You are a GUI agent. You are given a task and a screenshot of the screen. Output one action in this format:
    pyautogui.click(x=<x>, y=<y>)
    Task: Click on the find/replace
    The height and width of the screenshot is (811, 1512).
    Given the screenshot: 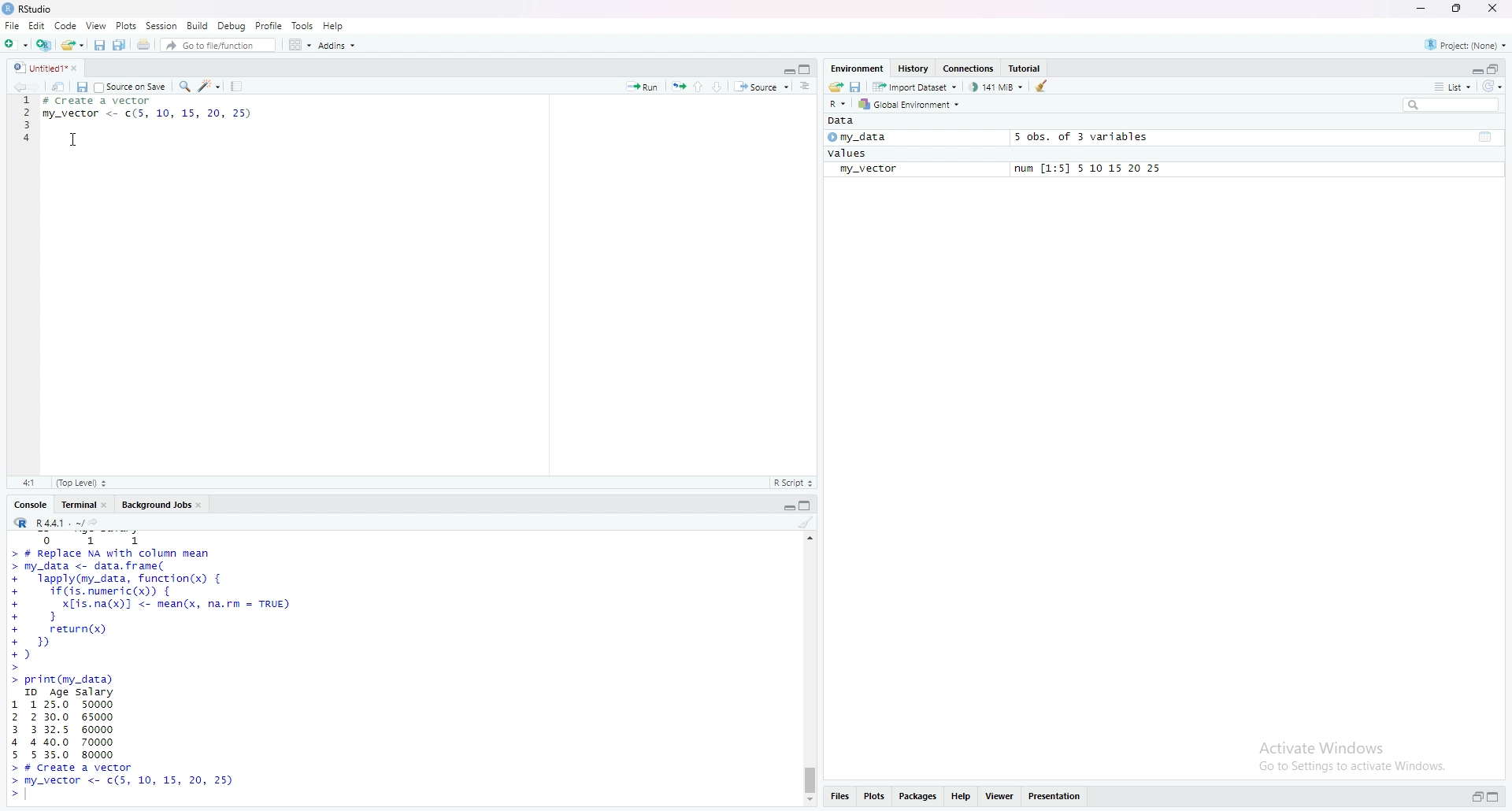 What is the action you would take?
    pyautogui.click(x=186, y=87)
    